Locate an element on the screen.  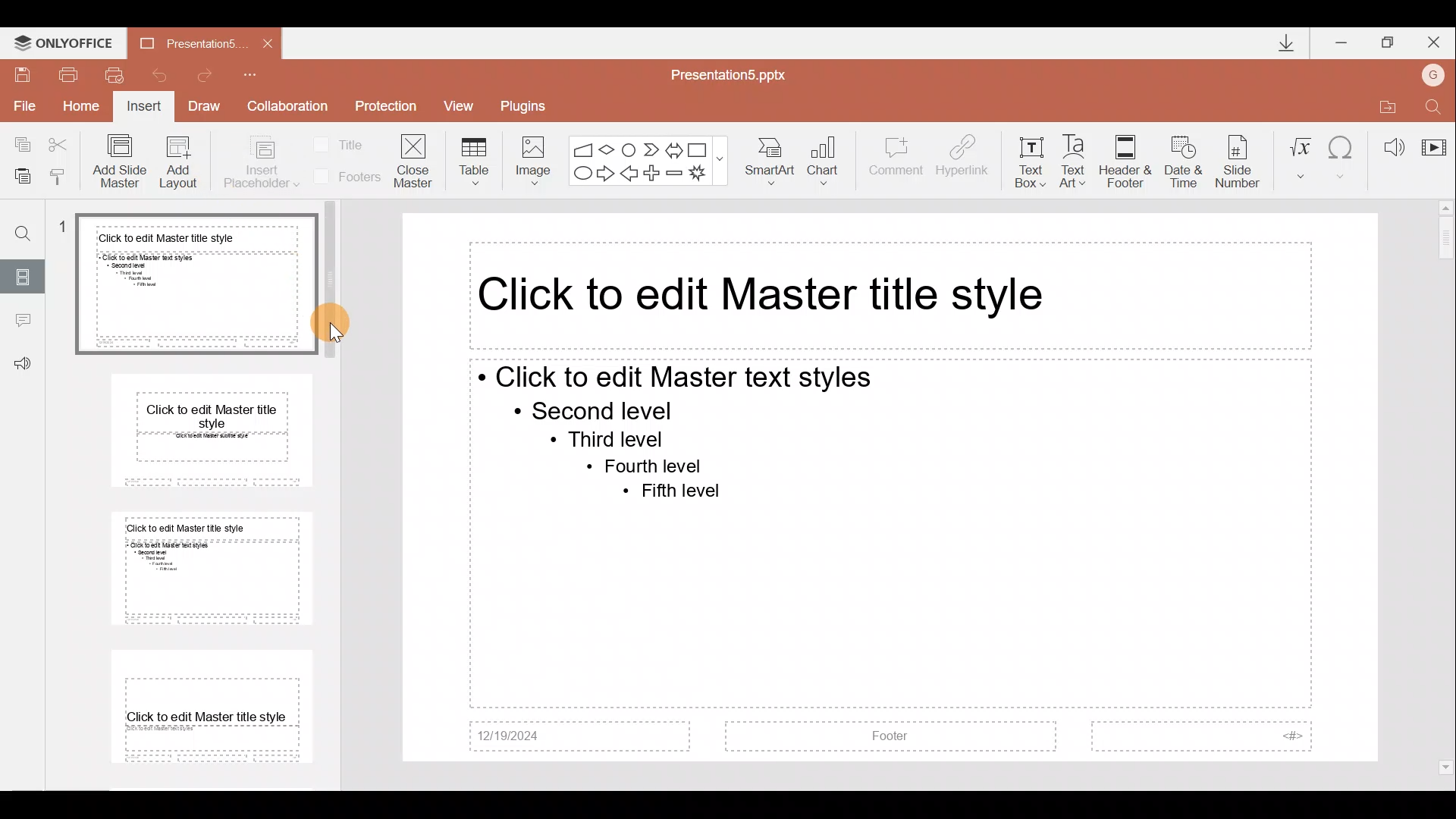
Minus is located at coordinates (675, 173).